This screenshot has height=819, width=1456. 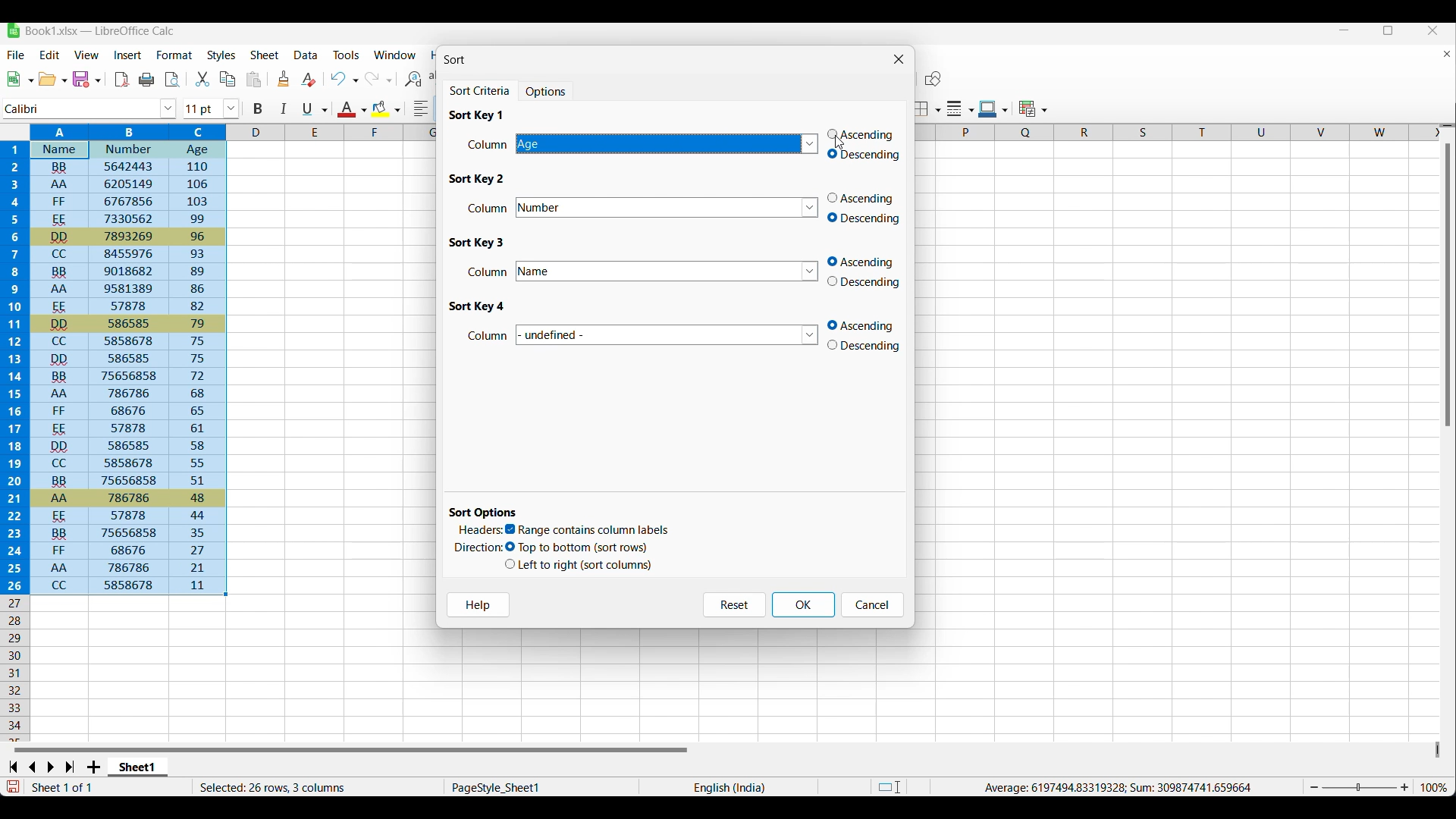 I want to click on Tools menu, so click(x=347, y=55).